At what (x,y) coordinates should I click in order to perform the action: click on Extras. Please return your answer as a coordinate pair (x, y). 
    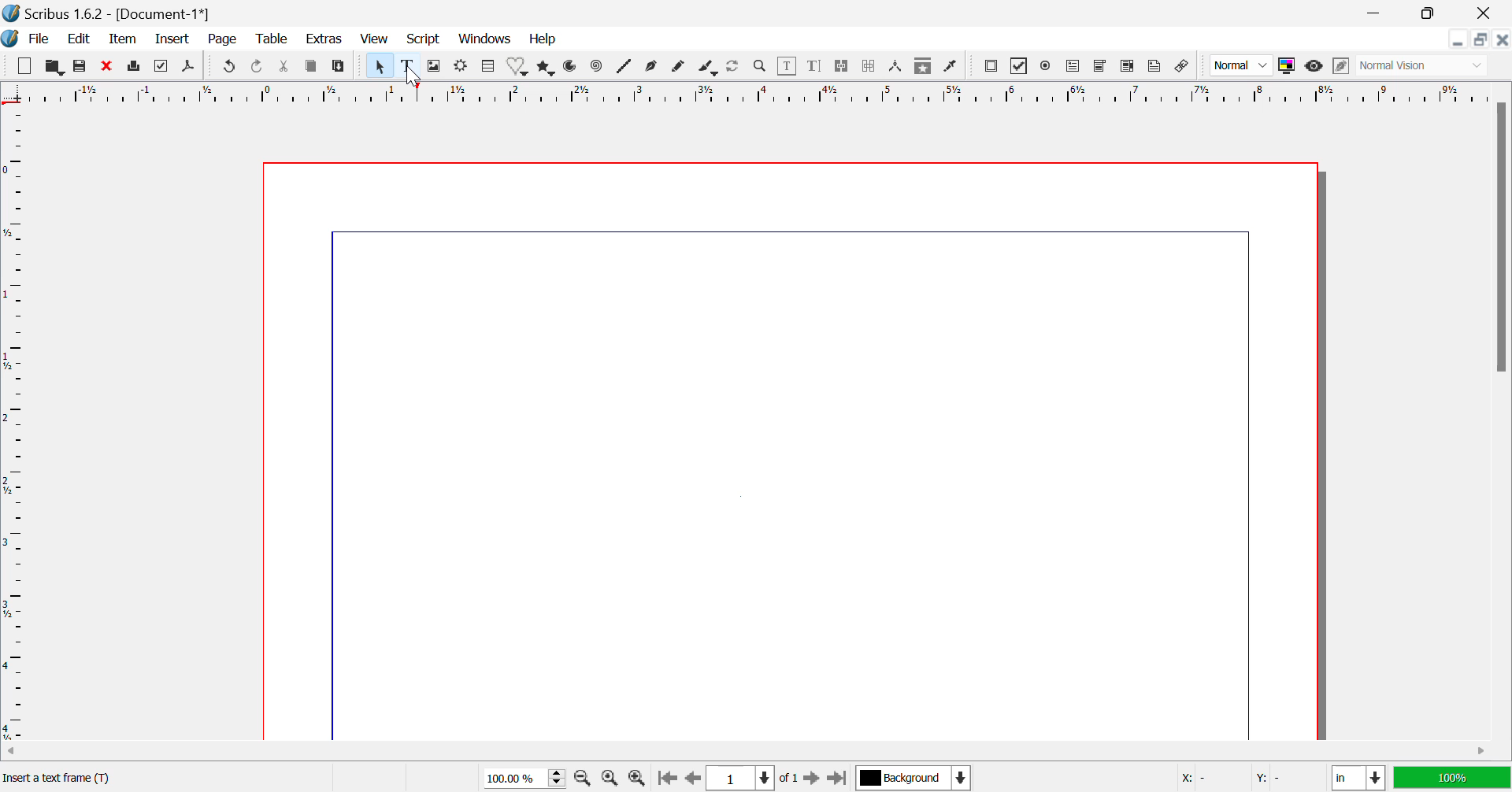
    Looking at the image, I should click on (323, 39).